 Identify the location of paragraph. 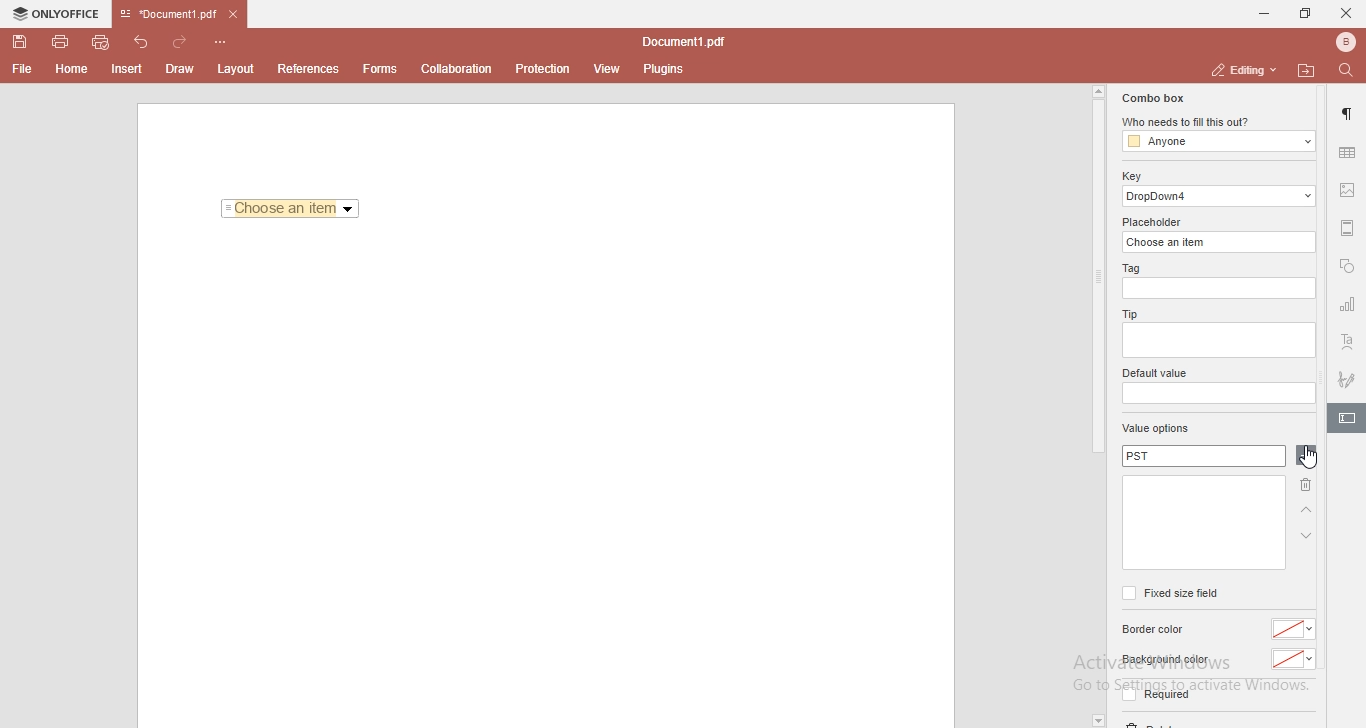
(1349, 114).